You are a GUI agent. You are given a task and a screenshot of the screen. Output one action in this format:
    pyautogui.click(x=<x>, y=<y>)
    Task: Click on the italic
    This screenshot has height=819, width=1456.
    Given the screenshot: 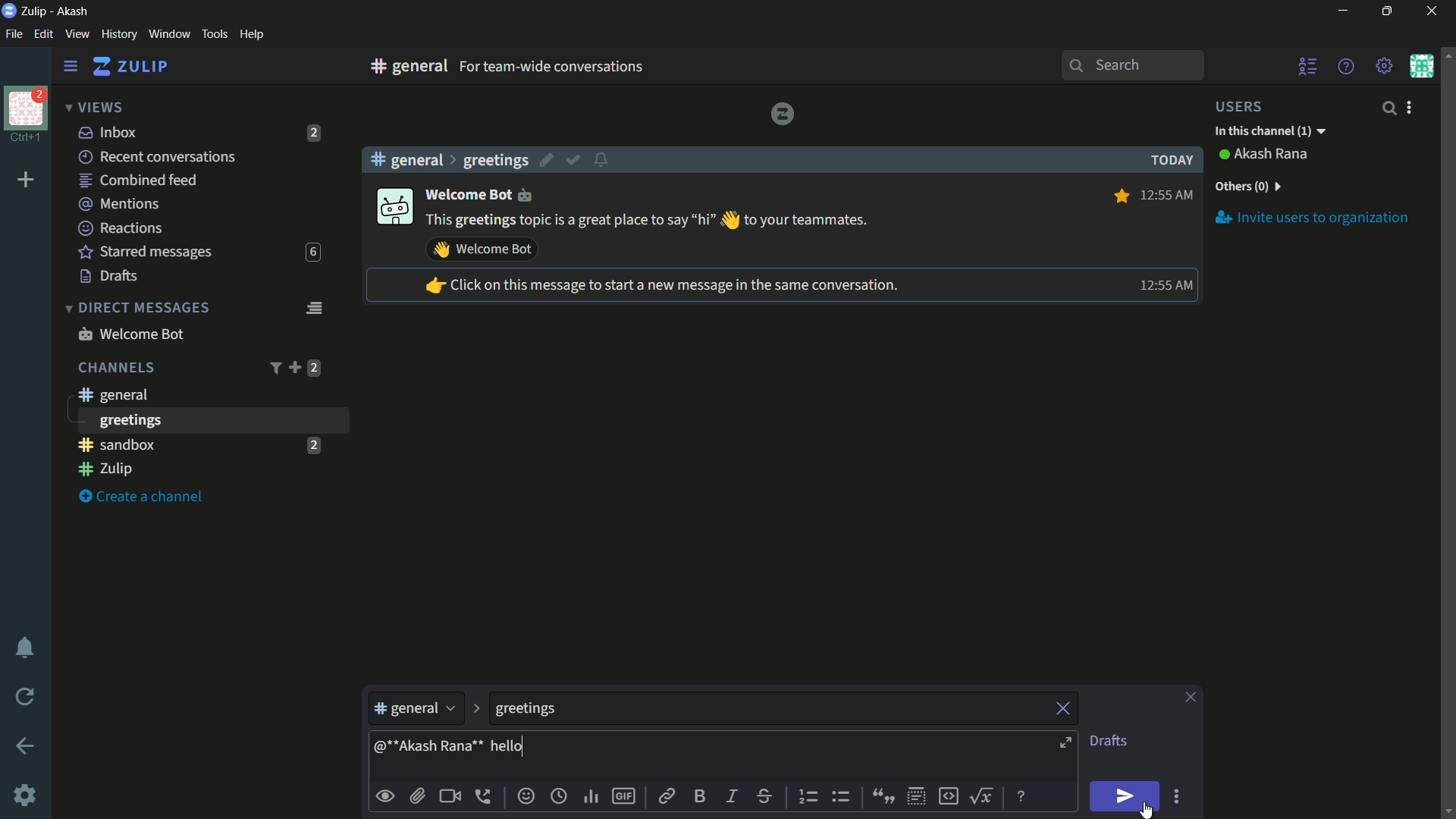 What is the action you would take?
    pyautogui.click(x=730, y=795)
    